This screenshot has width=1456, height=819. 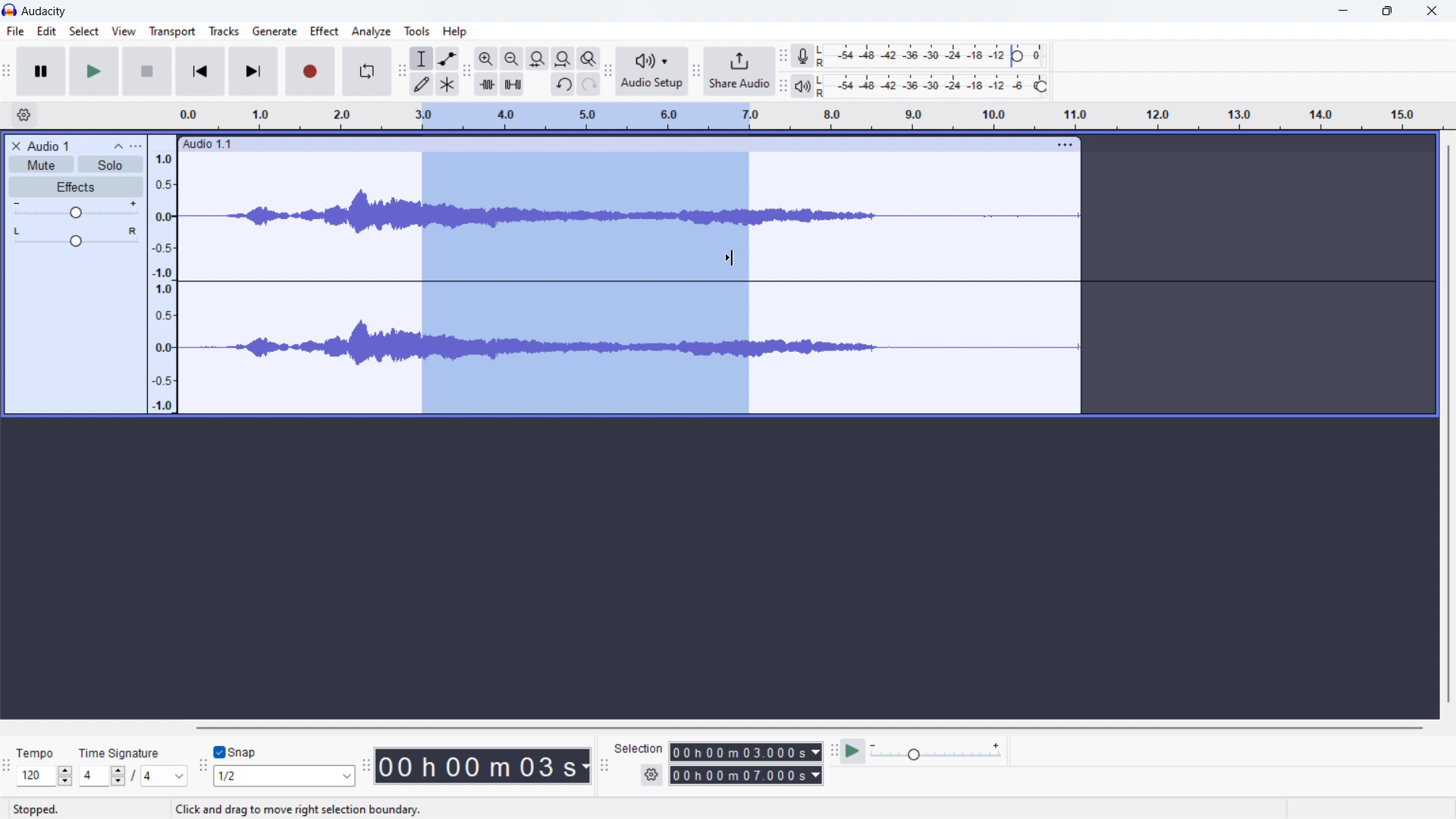 What do you see at coordinates (45, 12) in the screenshot?
I see `audacity` at bounding box center [45, 12].